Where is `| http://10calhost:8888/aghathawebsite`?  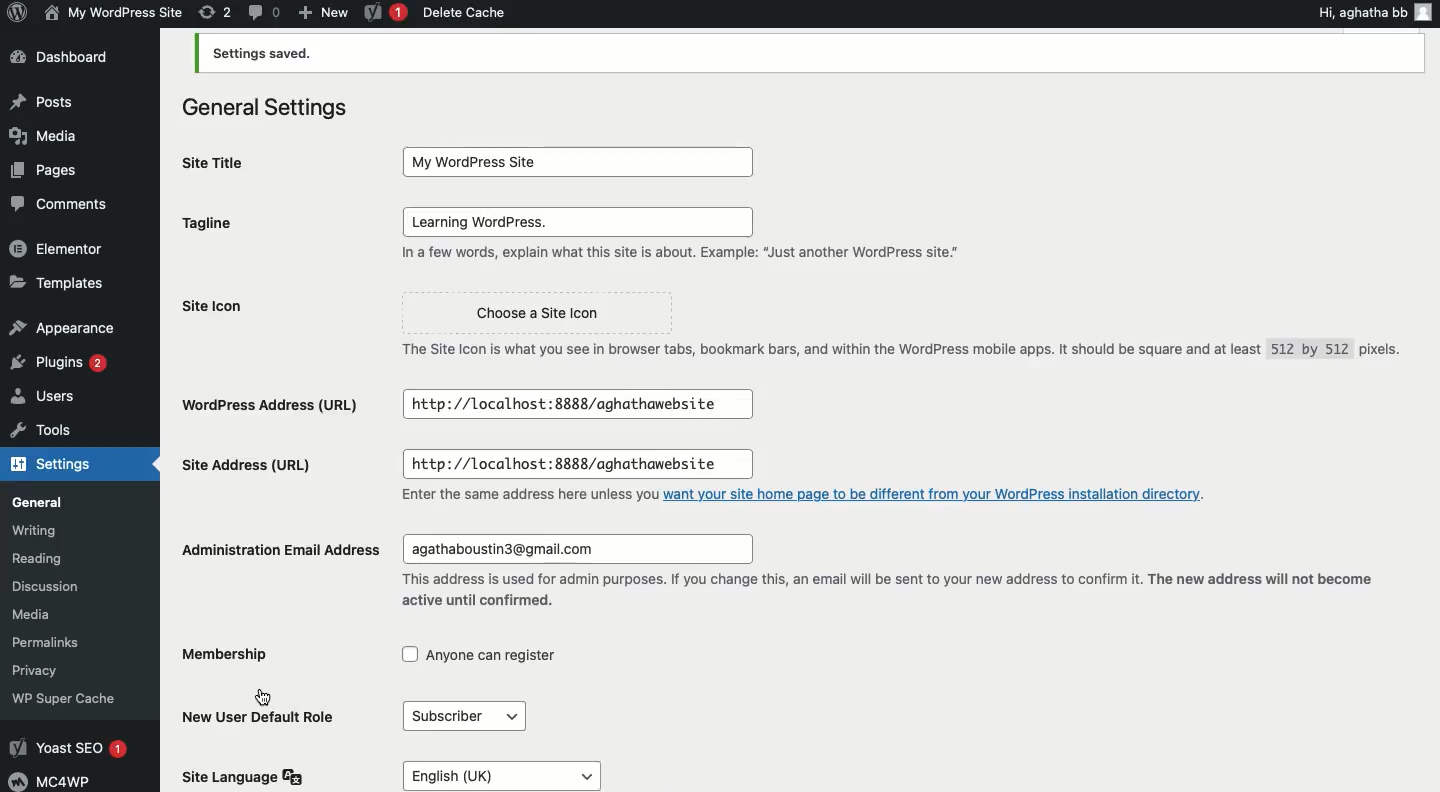 | http://10calhost:8888/aghathawebsite is located at coordinates (573, 407).